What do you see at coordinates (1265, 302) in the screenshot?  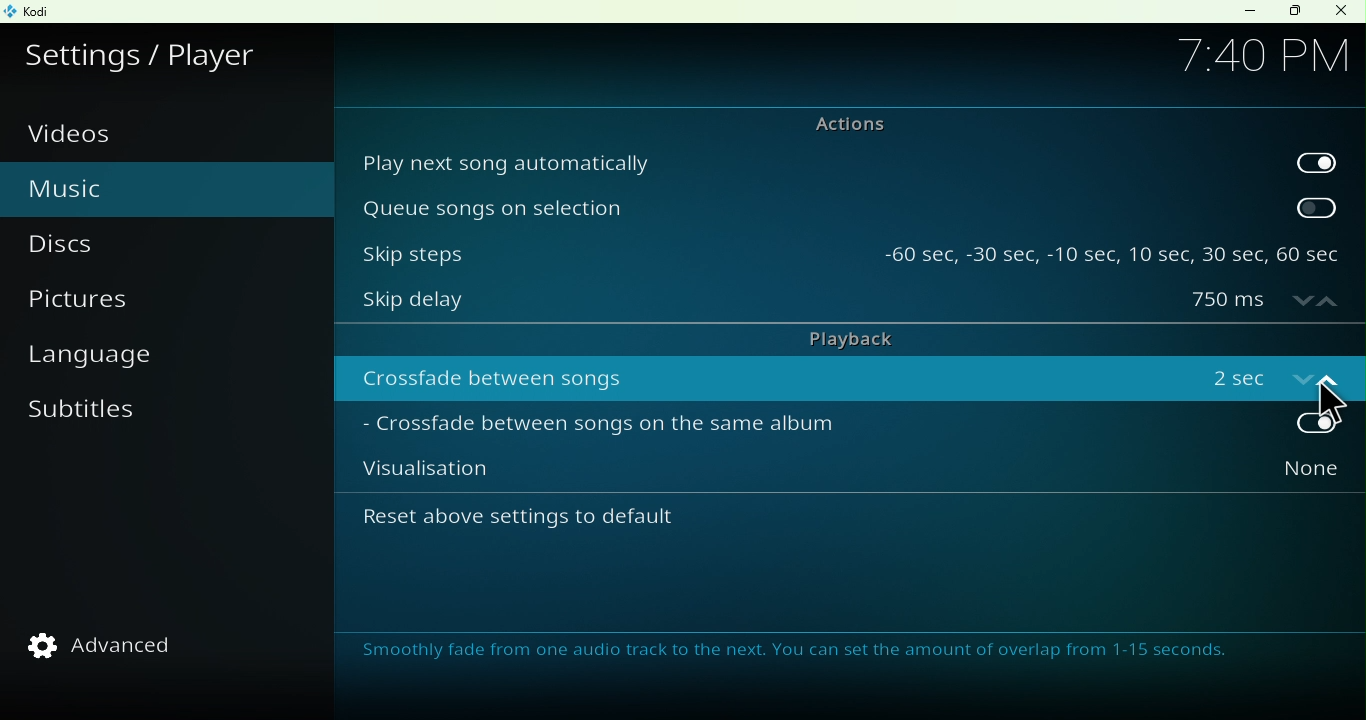 I see `750ms` at bounding box center [1265, 302].